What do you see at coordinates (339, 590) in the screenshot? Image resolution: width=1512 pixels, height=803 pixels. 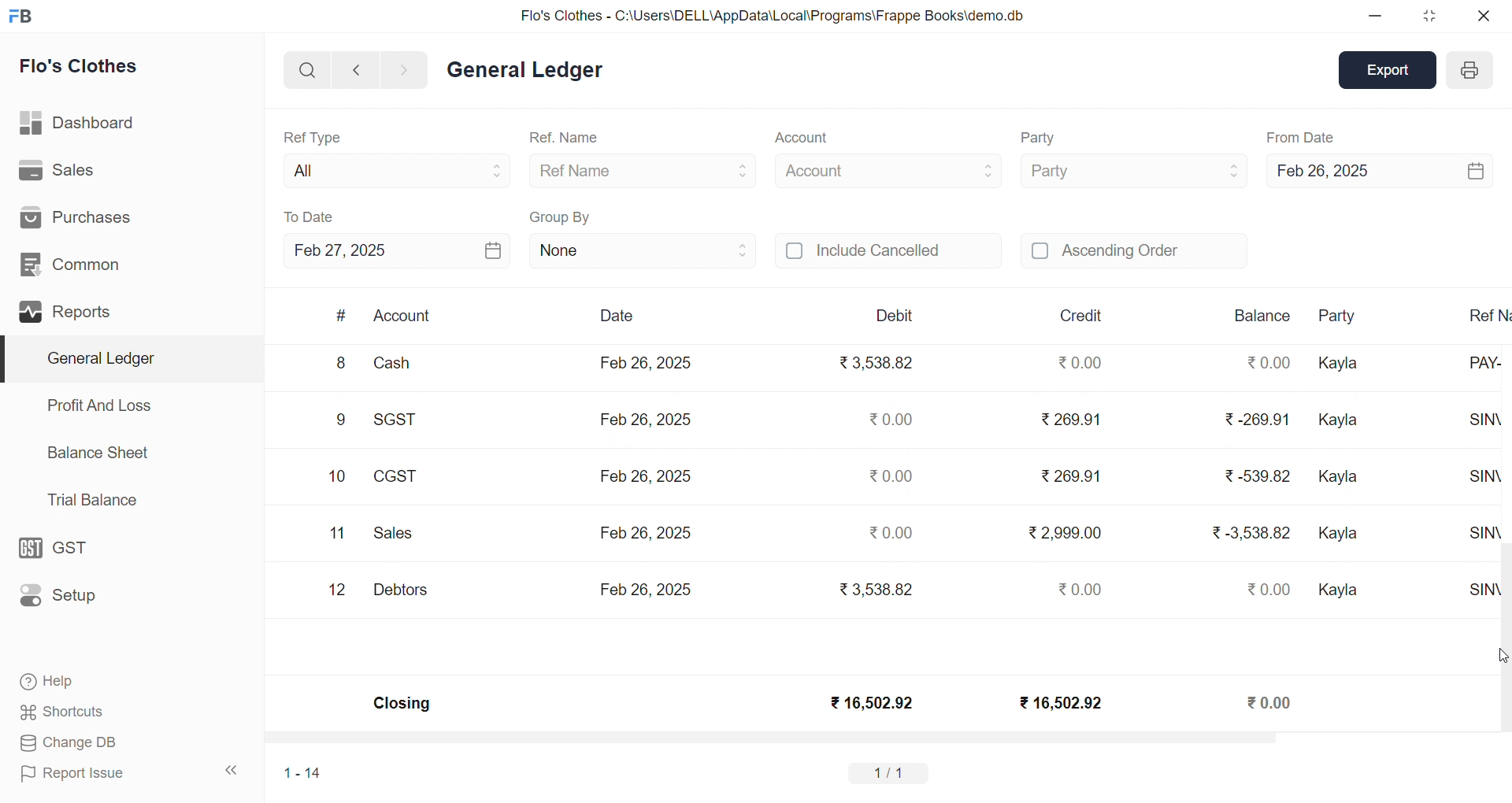 I see `12` at bounding box center [339, 590].